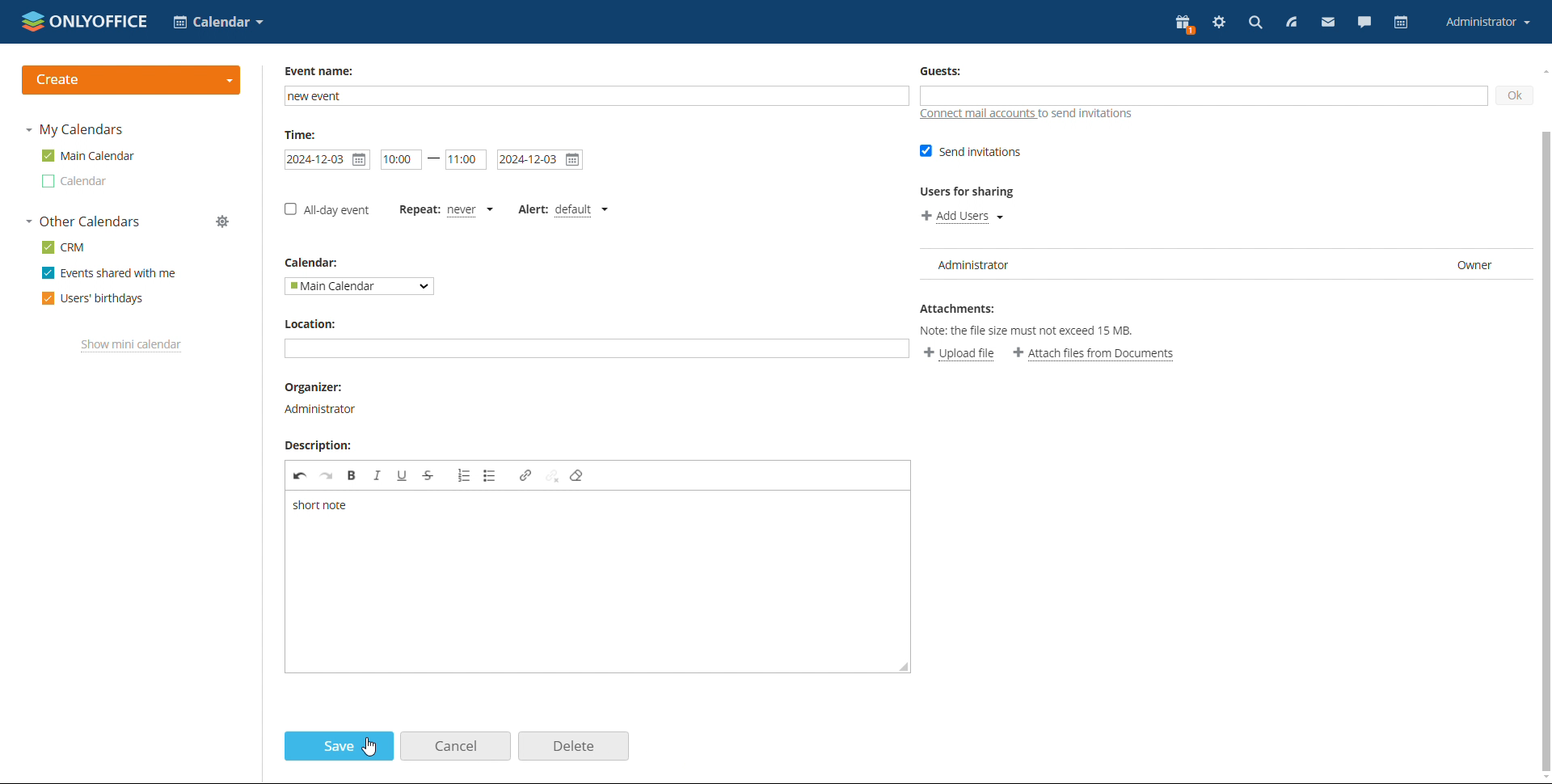  Describe the element at coordinates (338, 746) in the screenshot. I see `save` at that location.